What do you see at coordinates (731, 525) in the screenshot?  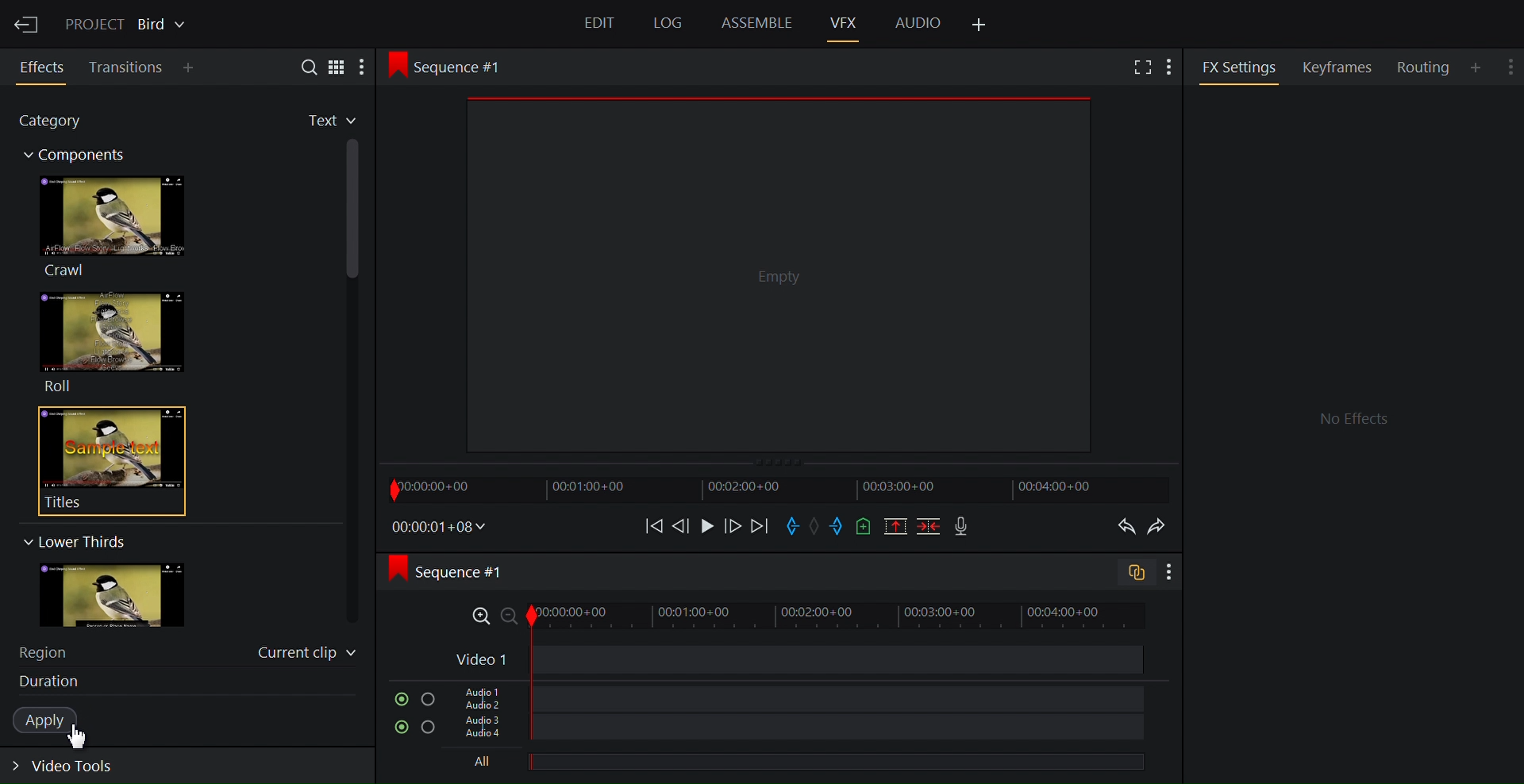 I see `Nudge one frame forward` at bounding box center [731, 525].